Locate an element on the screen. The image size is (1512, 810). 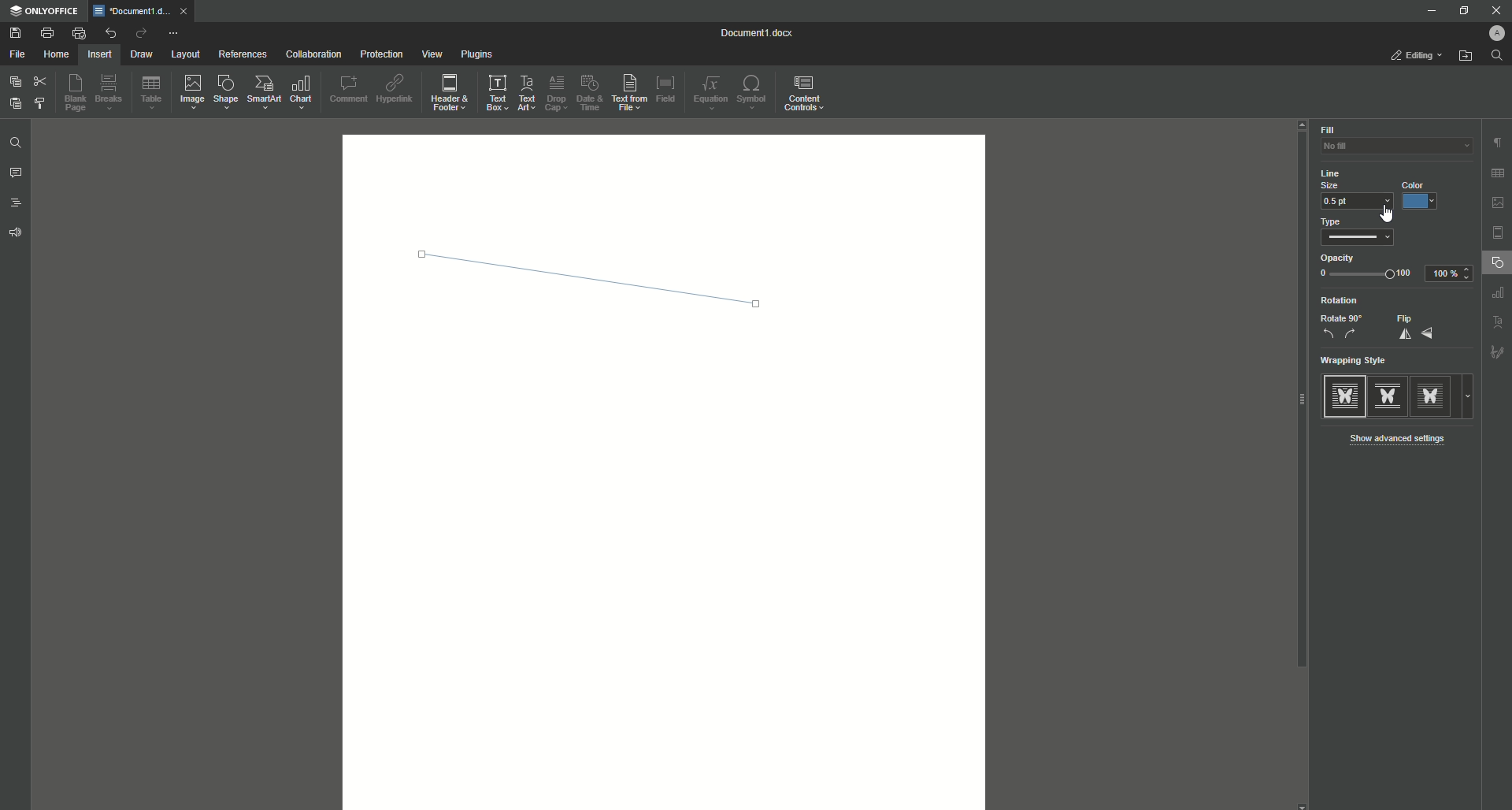
Paste is located at coordinates (13, 105).